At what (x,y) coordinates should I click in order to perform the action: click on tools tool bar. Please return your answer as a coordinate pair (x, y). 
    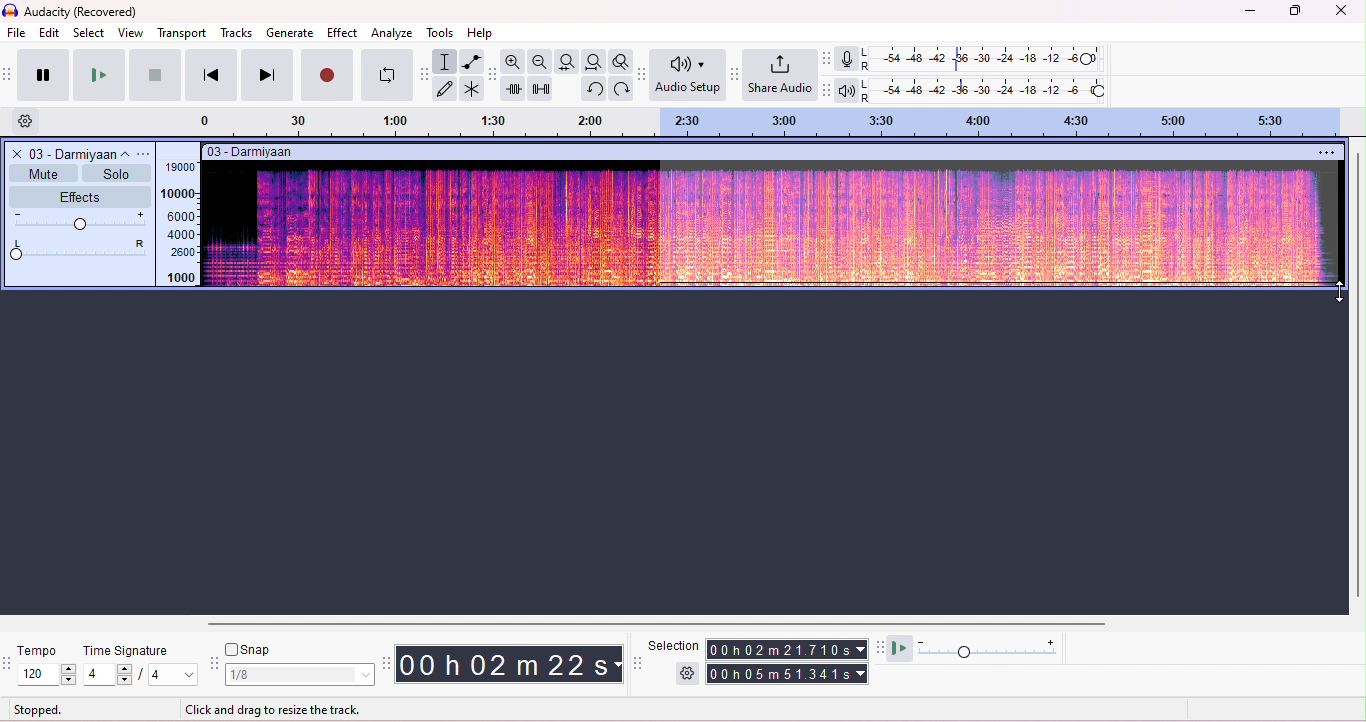
    Looking at the image, I should click on (425, 74).